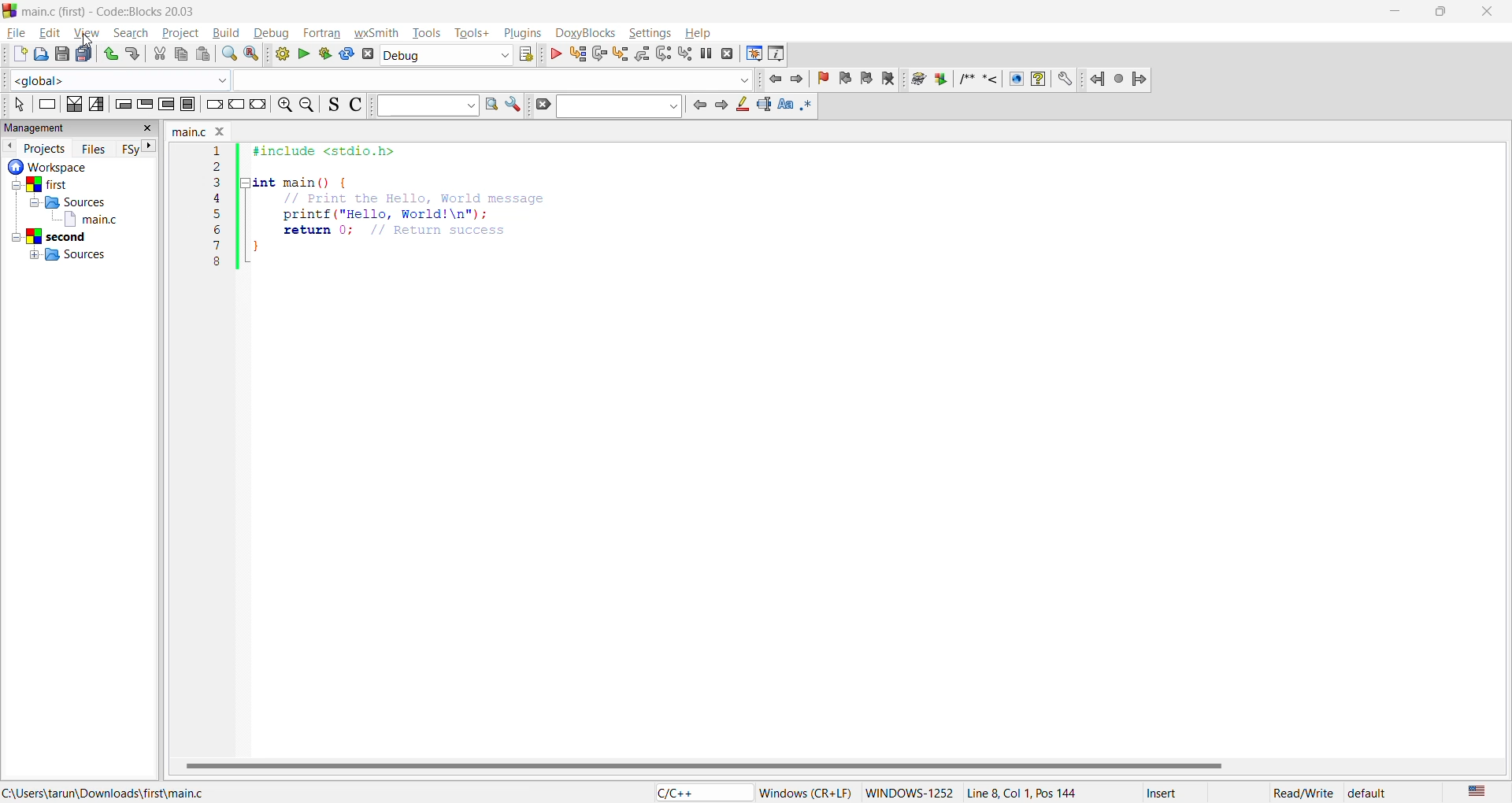  Describe the element at coordinates (148, 146) in the screenshot. I see `next` at that location.